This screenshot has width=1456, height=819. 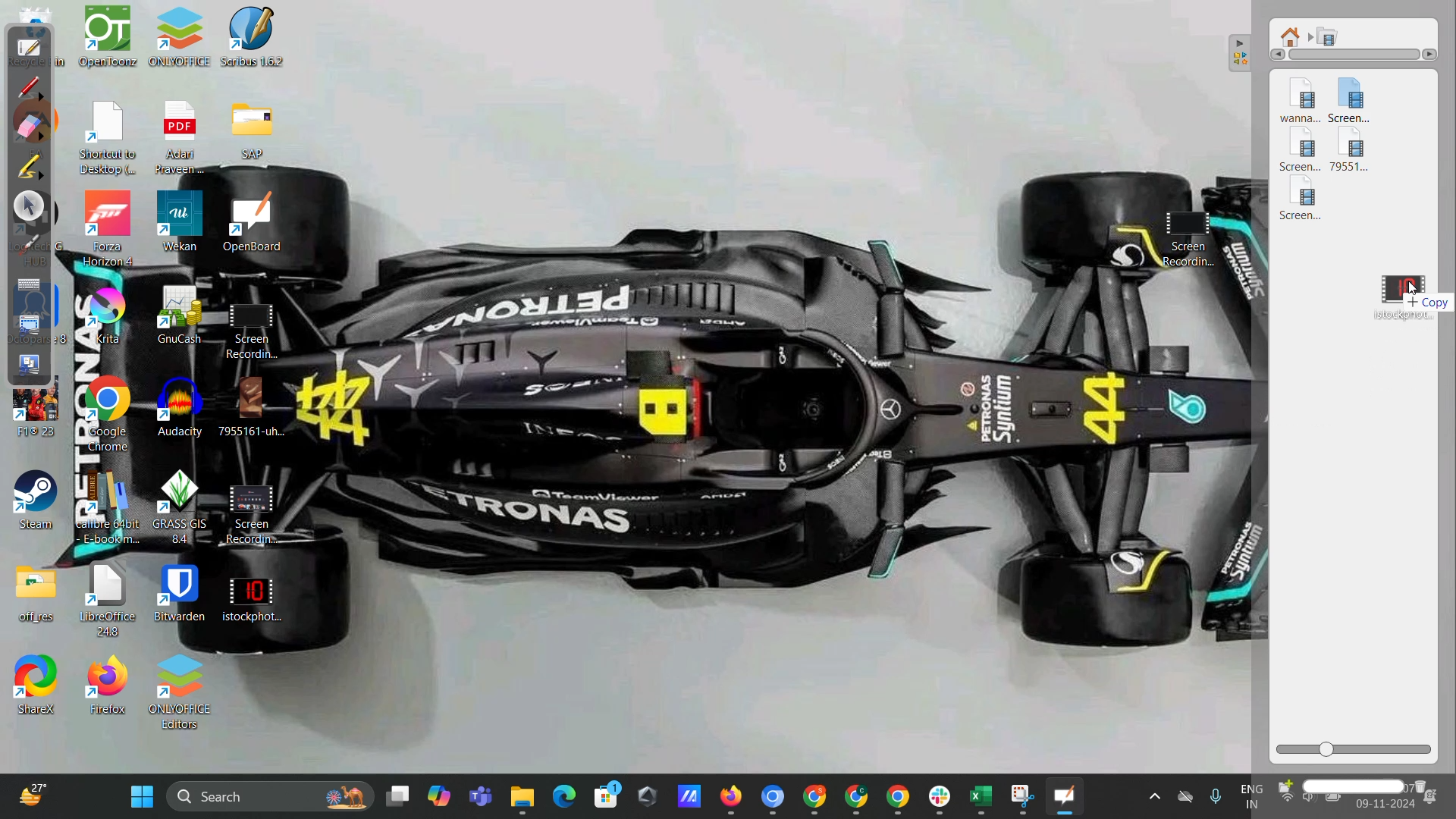 I want to click on file on desktop, so click(x=37, y=597).